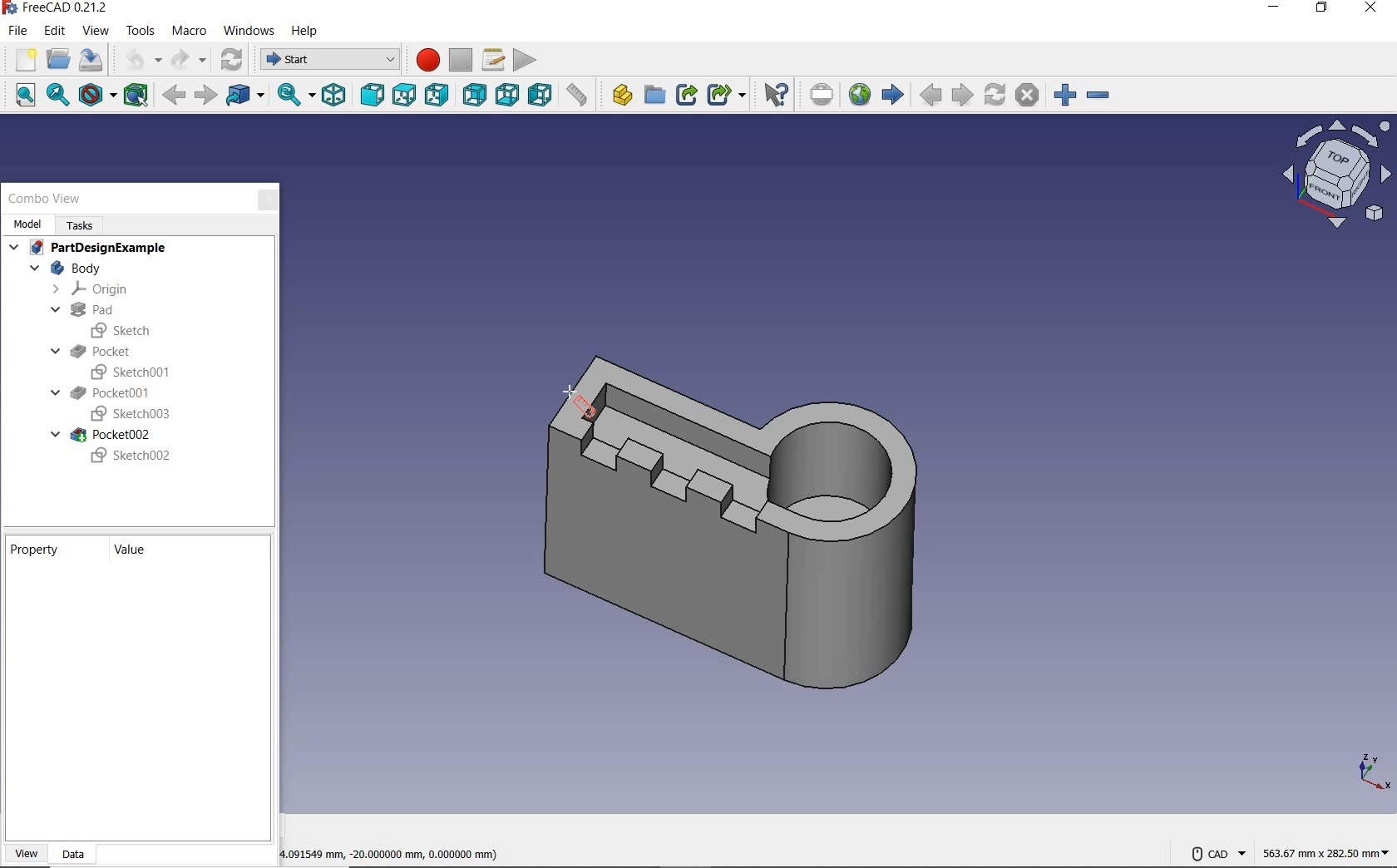  Describe the element at coordinates (654, 96) in the screenshot. I see `create group` at that location.